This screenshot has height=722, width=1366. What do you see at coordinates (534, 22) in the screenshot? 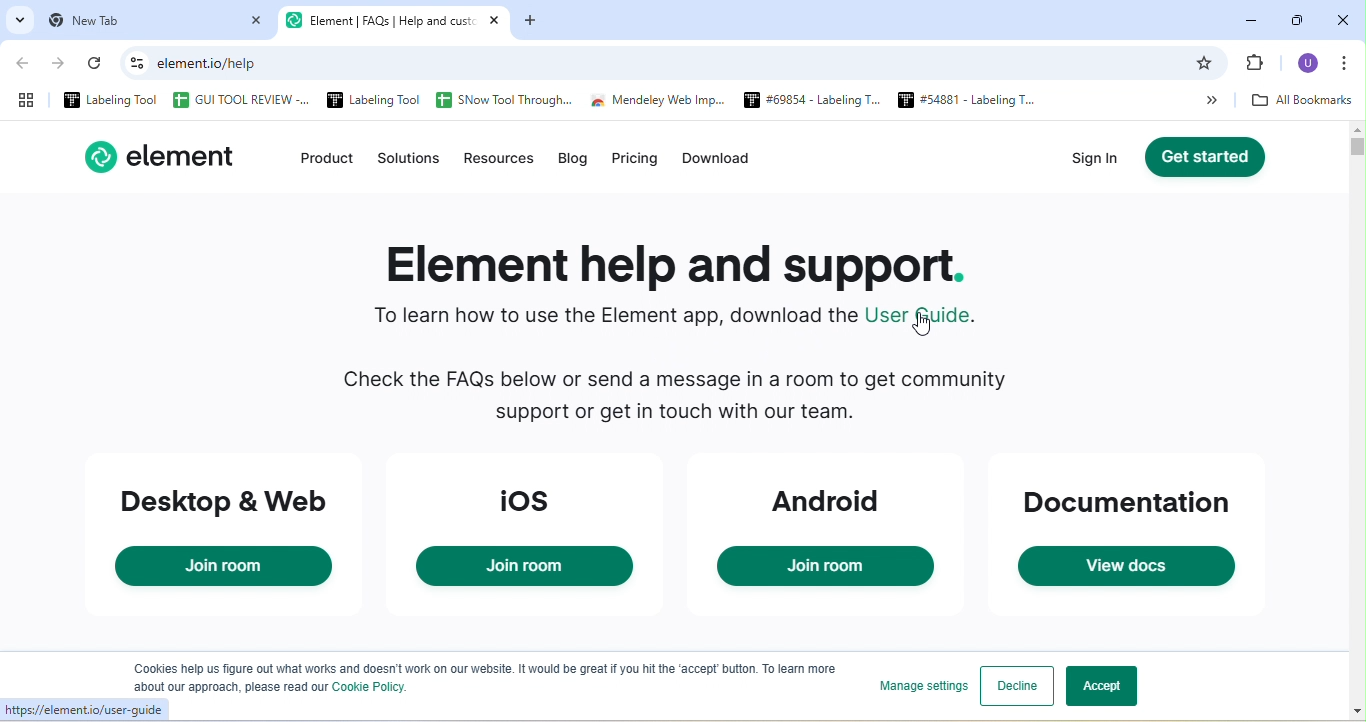
I see `add new tab` at bounding box center [534, 22].